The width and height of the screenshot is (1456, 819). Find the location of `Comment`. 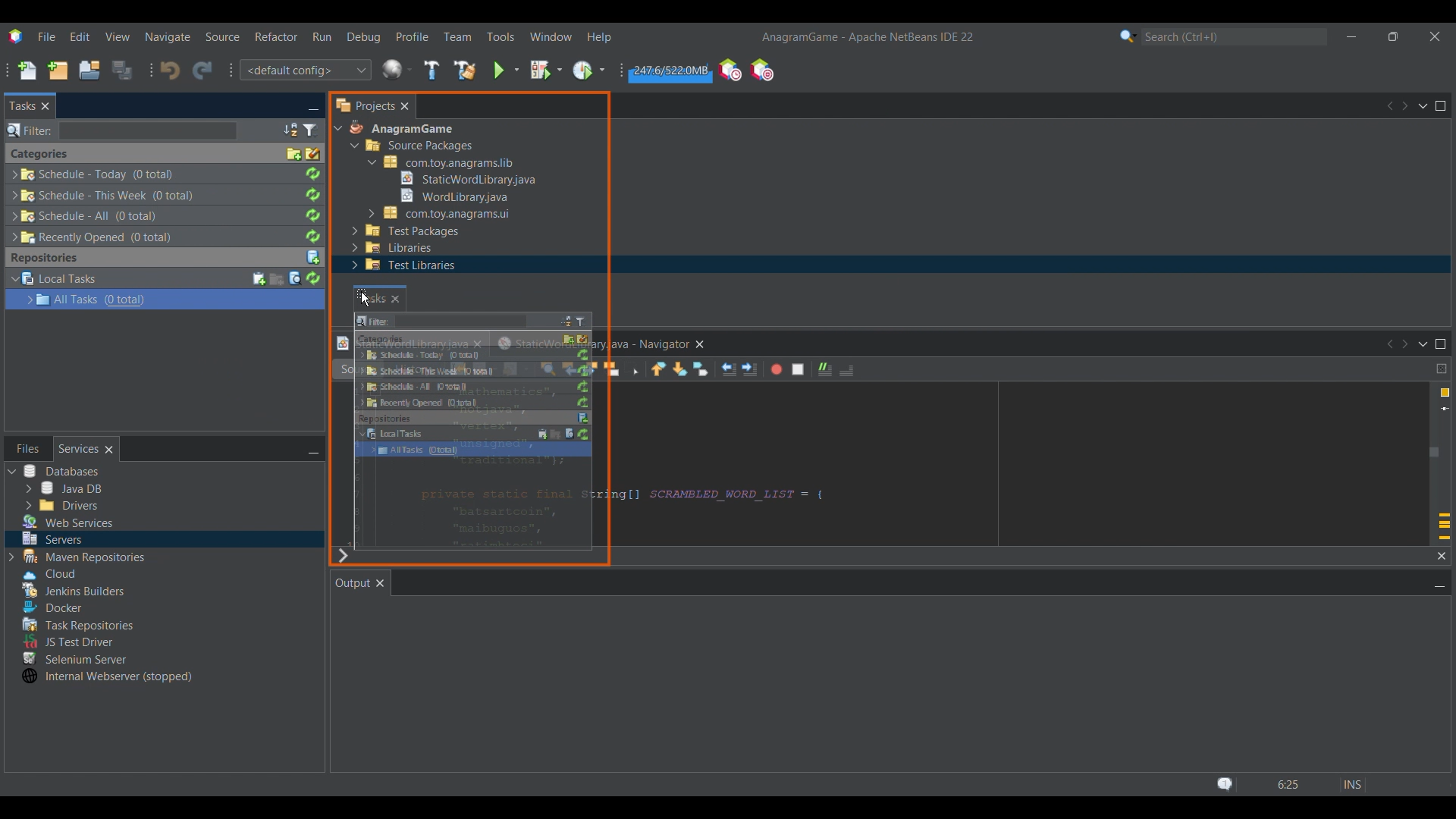

Comment is located at coordinates (825, 369).